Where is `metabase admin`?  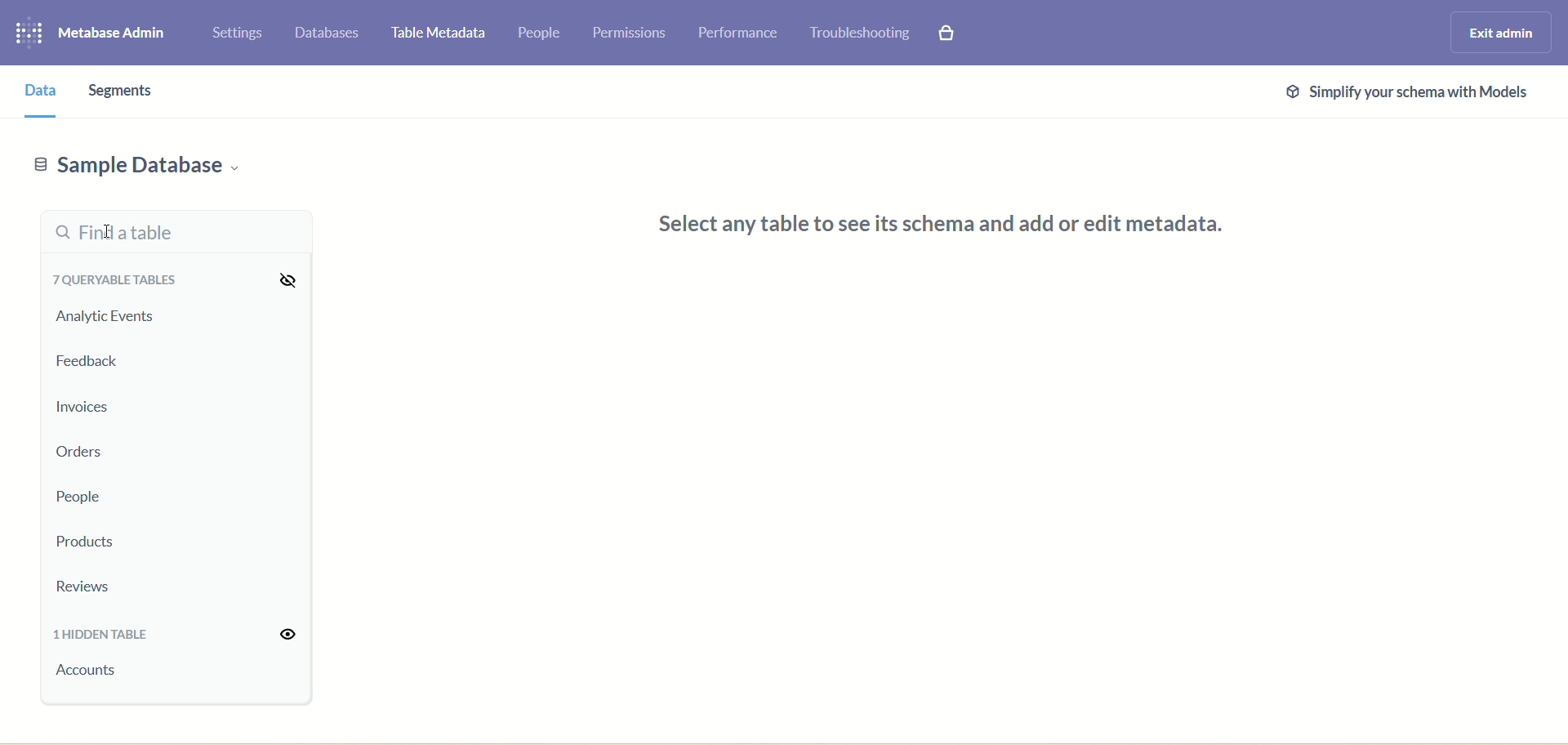
metabase admin is located at coordinates (114, 33).